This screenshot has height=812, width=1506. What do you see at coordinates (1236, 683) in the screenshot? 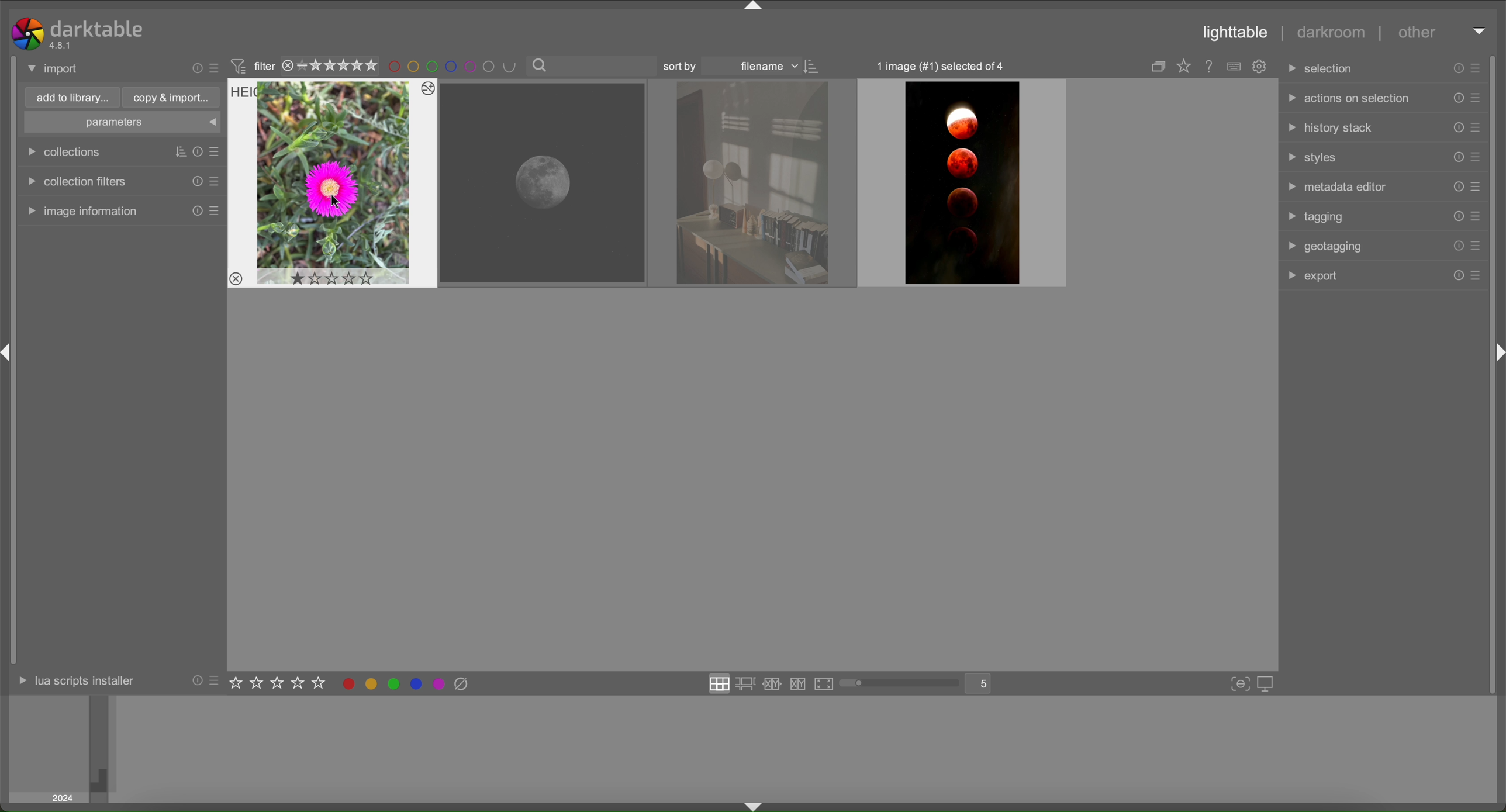
I see `toggle focus-peaking mode` at bounding box center [1236, 683].